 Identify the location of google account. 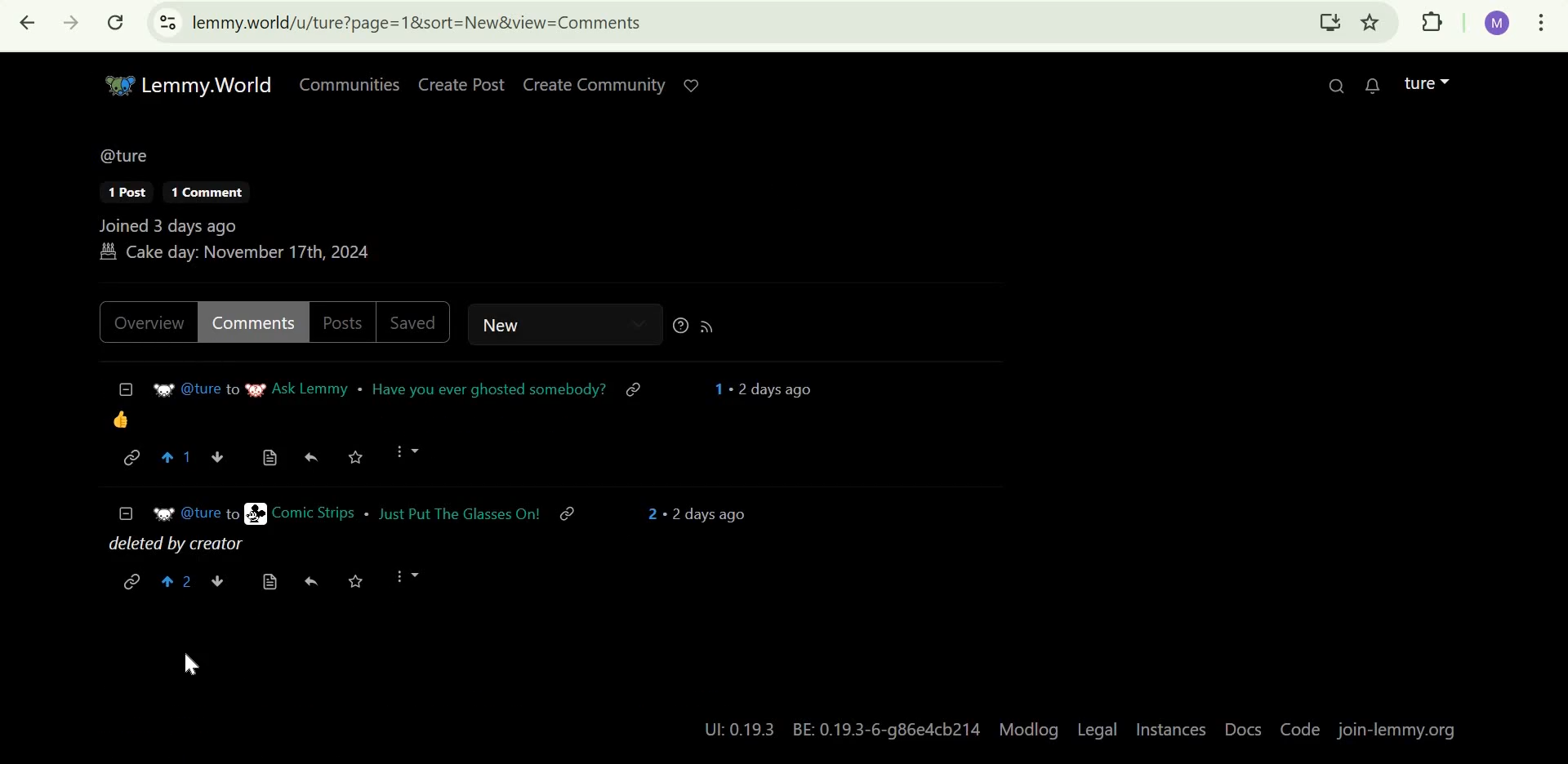
(1499, 24).